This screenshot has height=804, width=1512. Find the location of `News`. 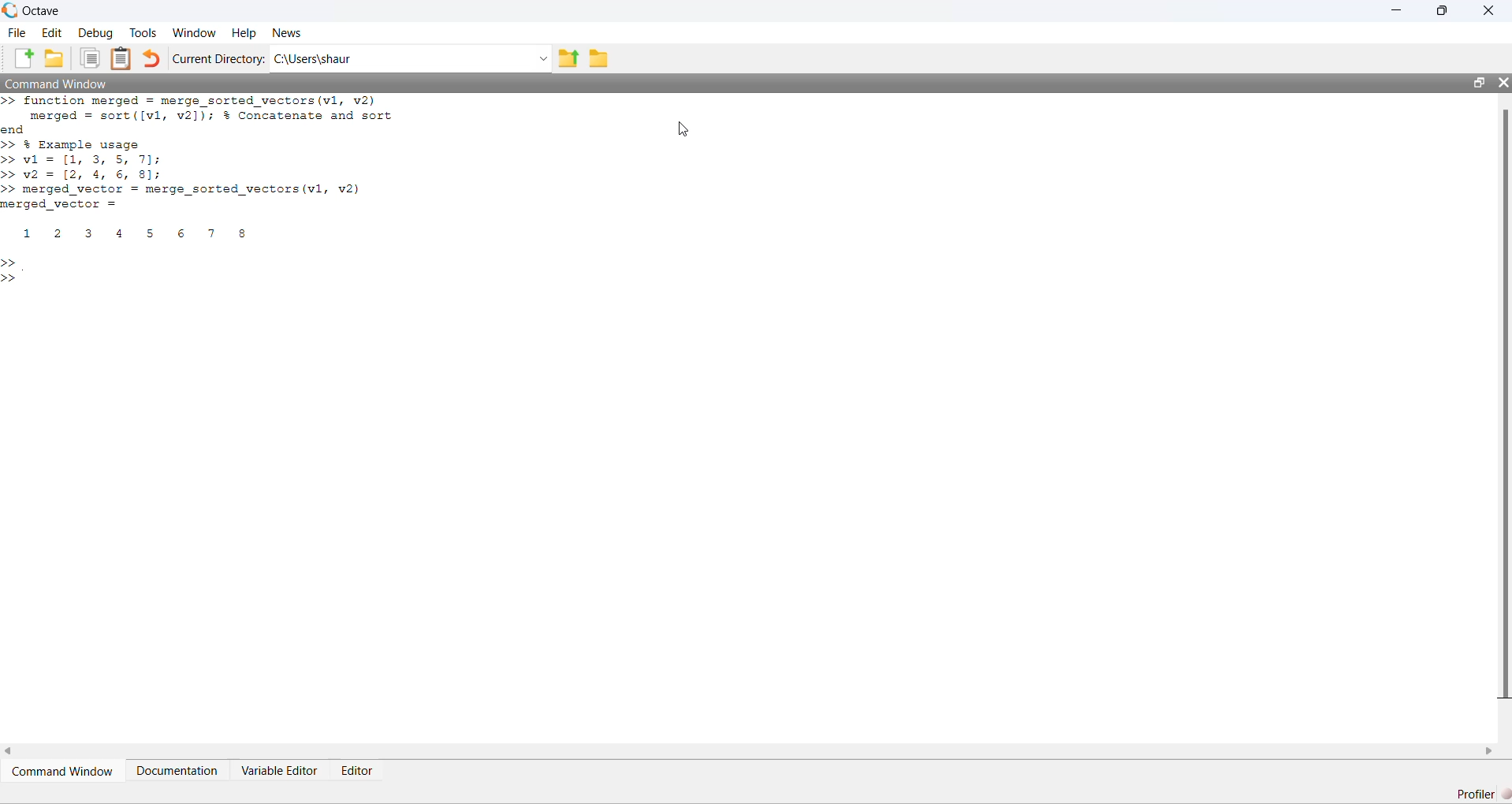

News is located at coordinates (287, 33).